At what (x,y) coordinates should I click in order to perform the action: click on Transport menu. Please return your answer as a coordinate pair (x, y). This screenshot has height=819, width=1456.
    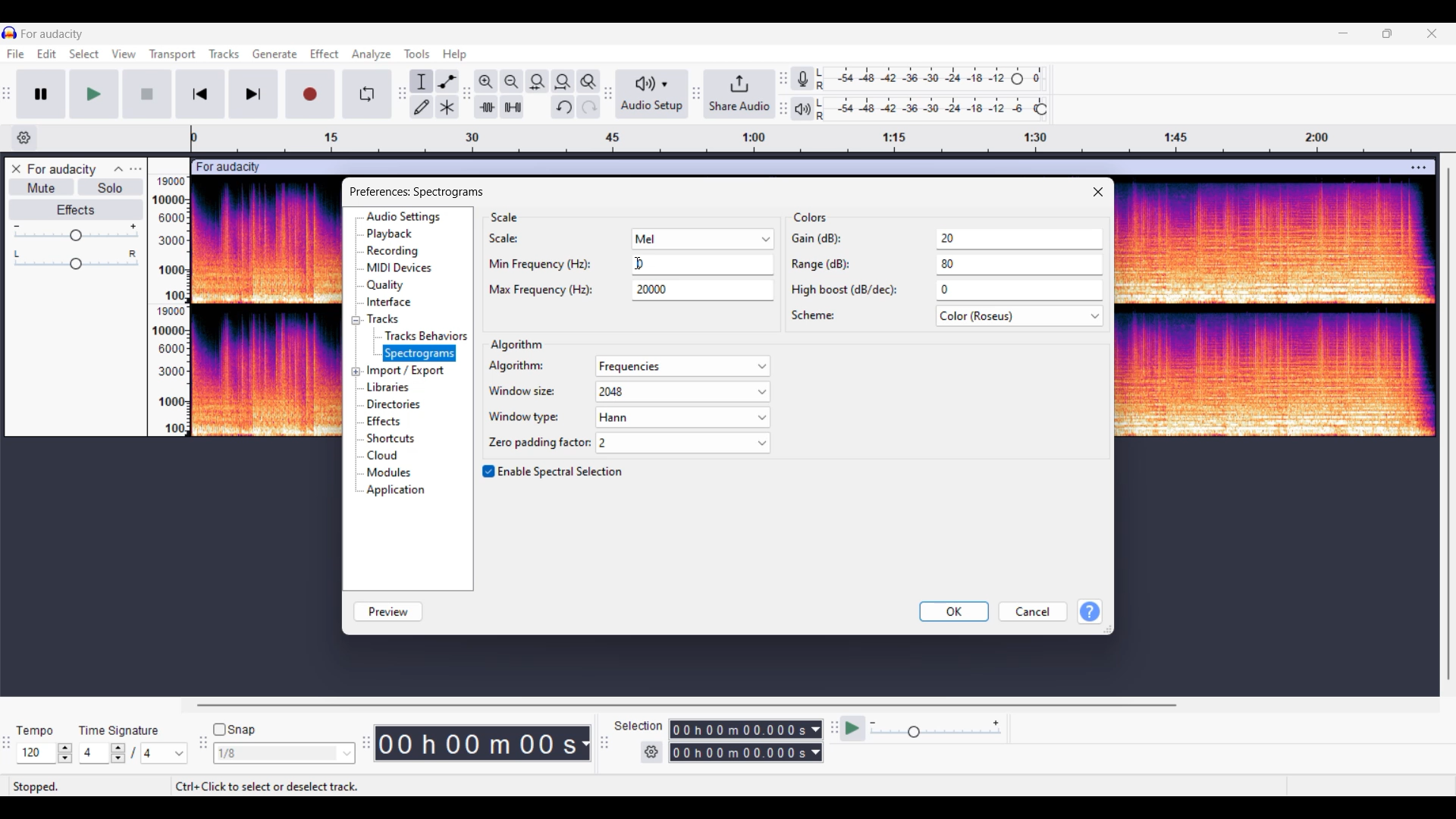
    Looking at the image, I should click on (173, 55).